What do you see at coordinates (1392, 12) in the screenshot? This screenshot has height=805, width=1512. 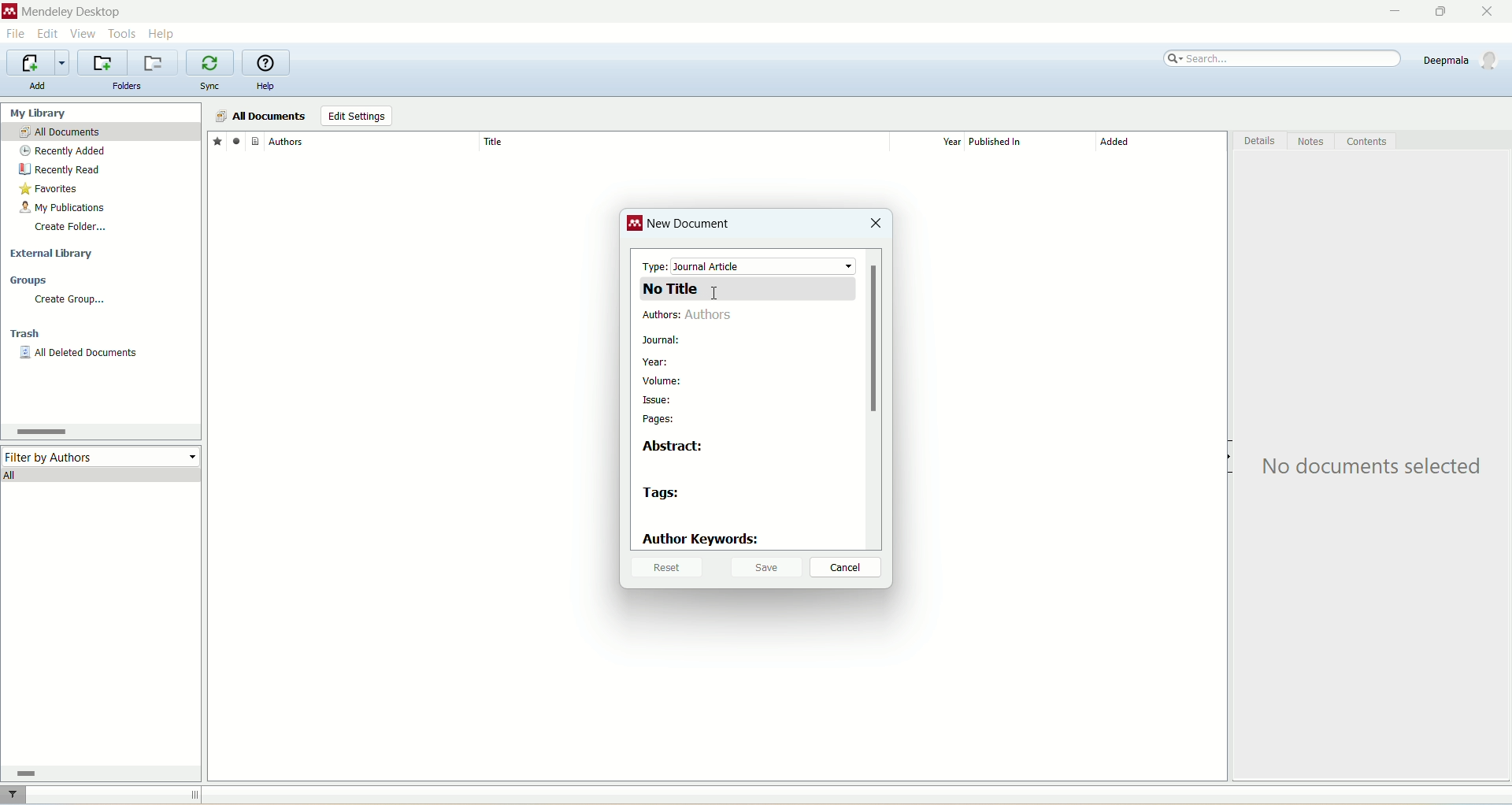 I see `minimize` at bounding box center [1392, 12].